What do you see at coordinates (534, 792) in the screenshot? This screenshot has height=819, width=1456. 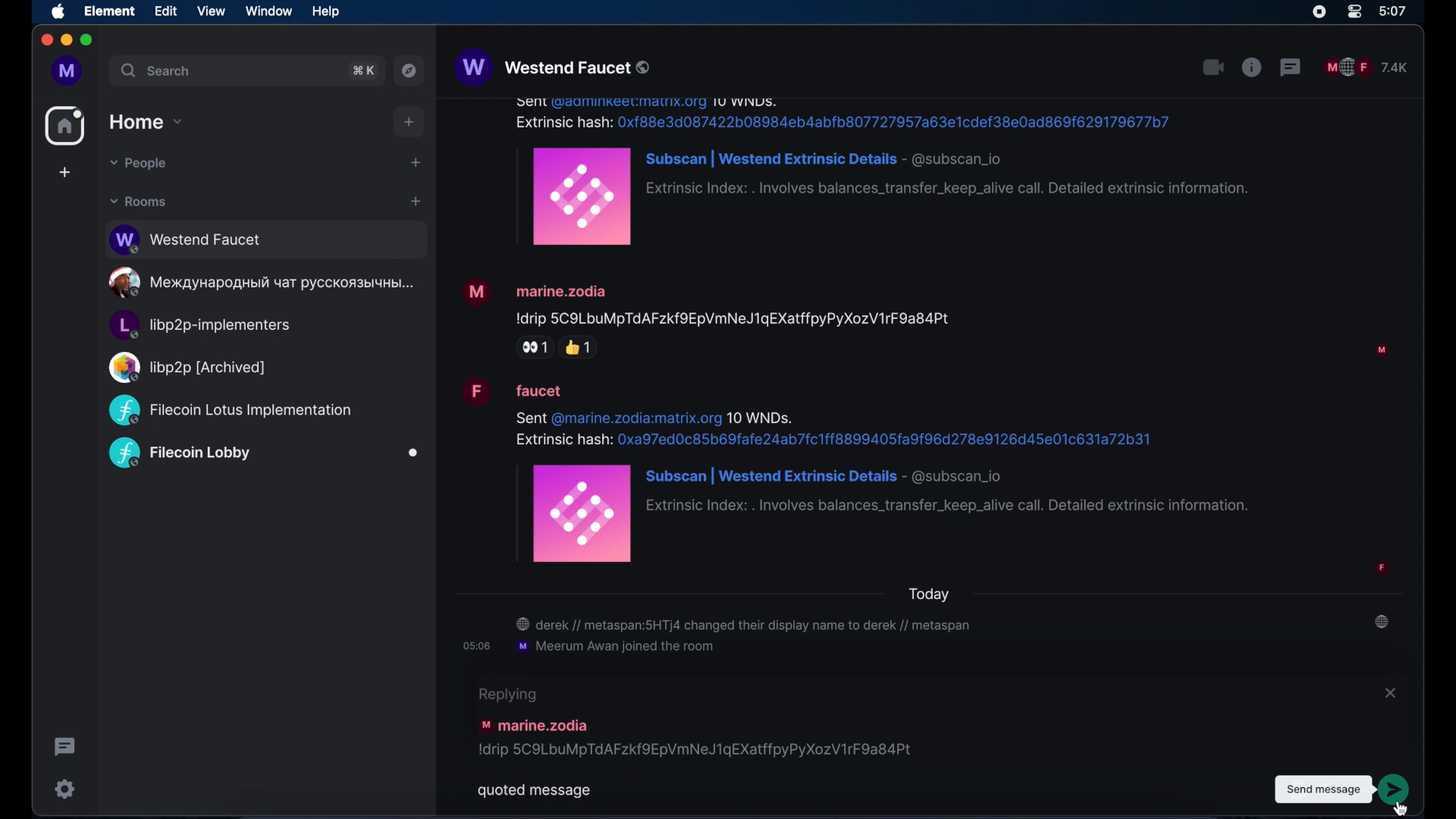 I see `quoted message` at bounding box center [534, 792].